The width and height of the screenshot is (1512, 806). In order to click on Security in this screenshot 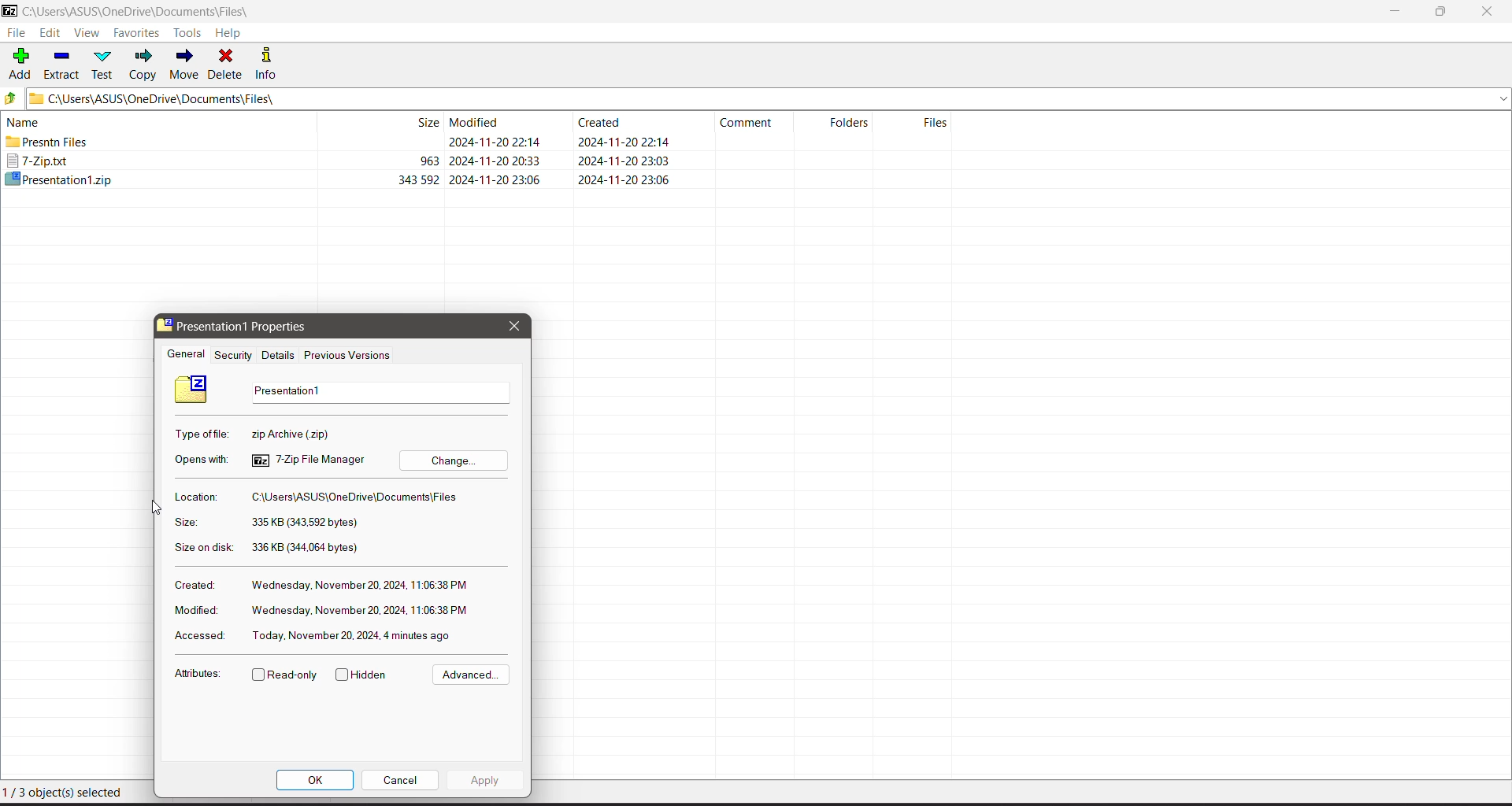, I will do `click(233, 354)`.